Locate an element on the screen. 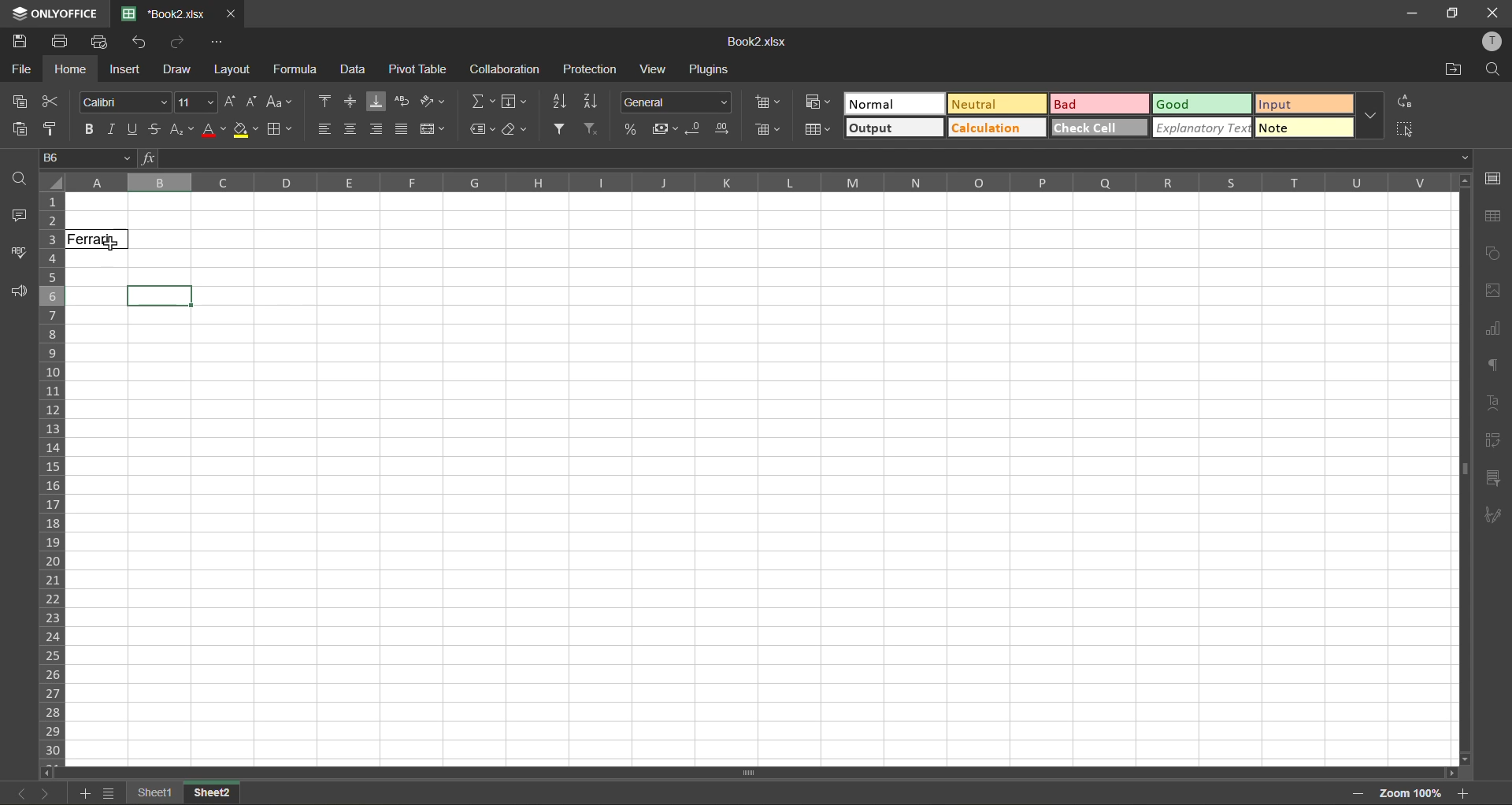  clear filter is located at coordinates (593, 129).